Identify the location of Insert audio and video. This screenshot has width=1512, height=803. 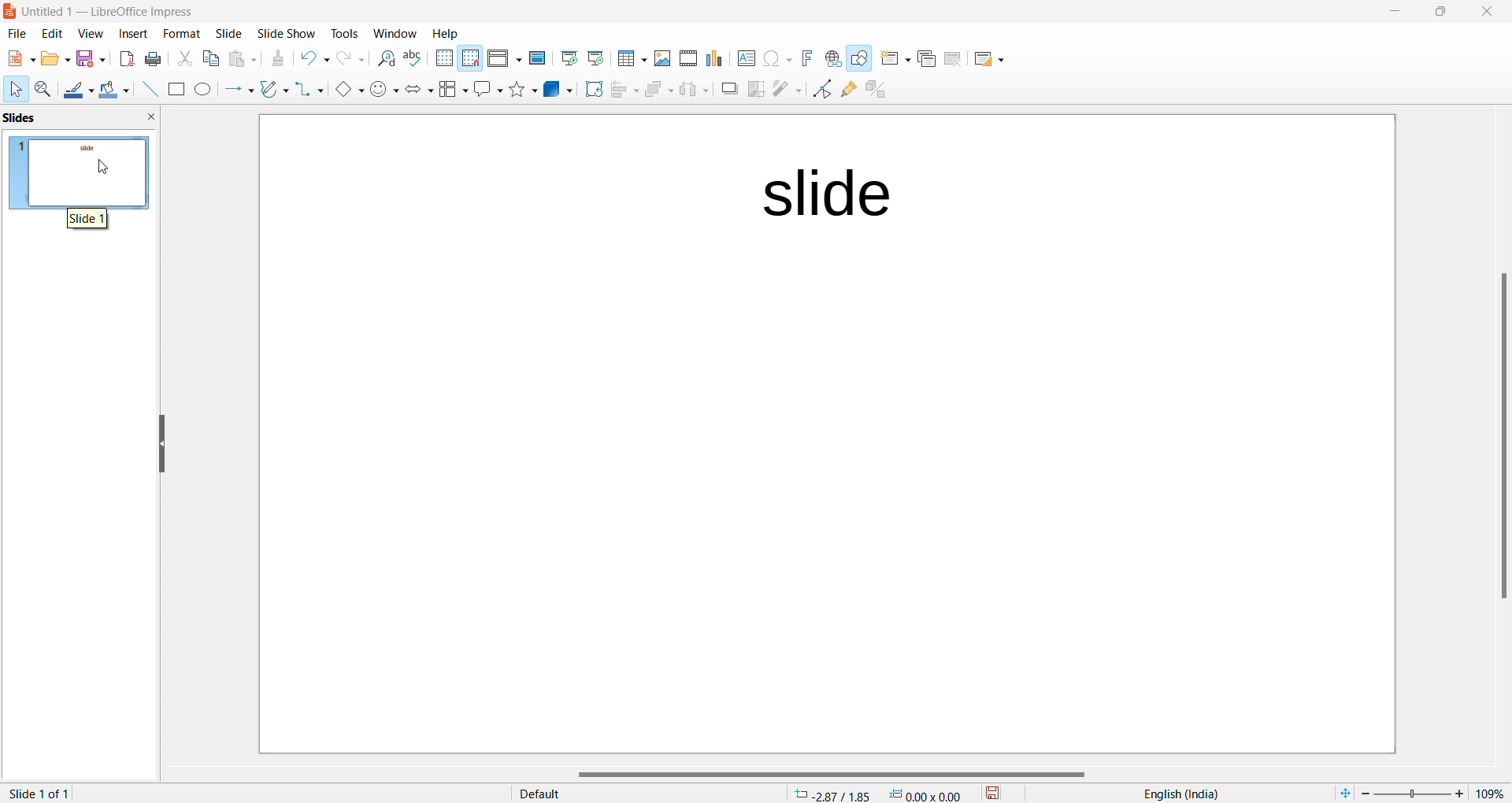
(686, 57).